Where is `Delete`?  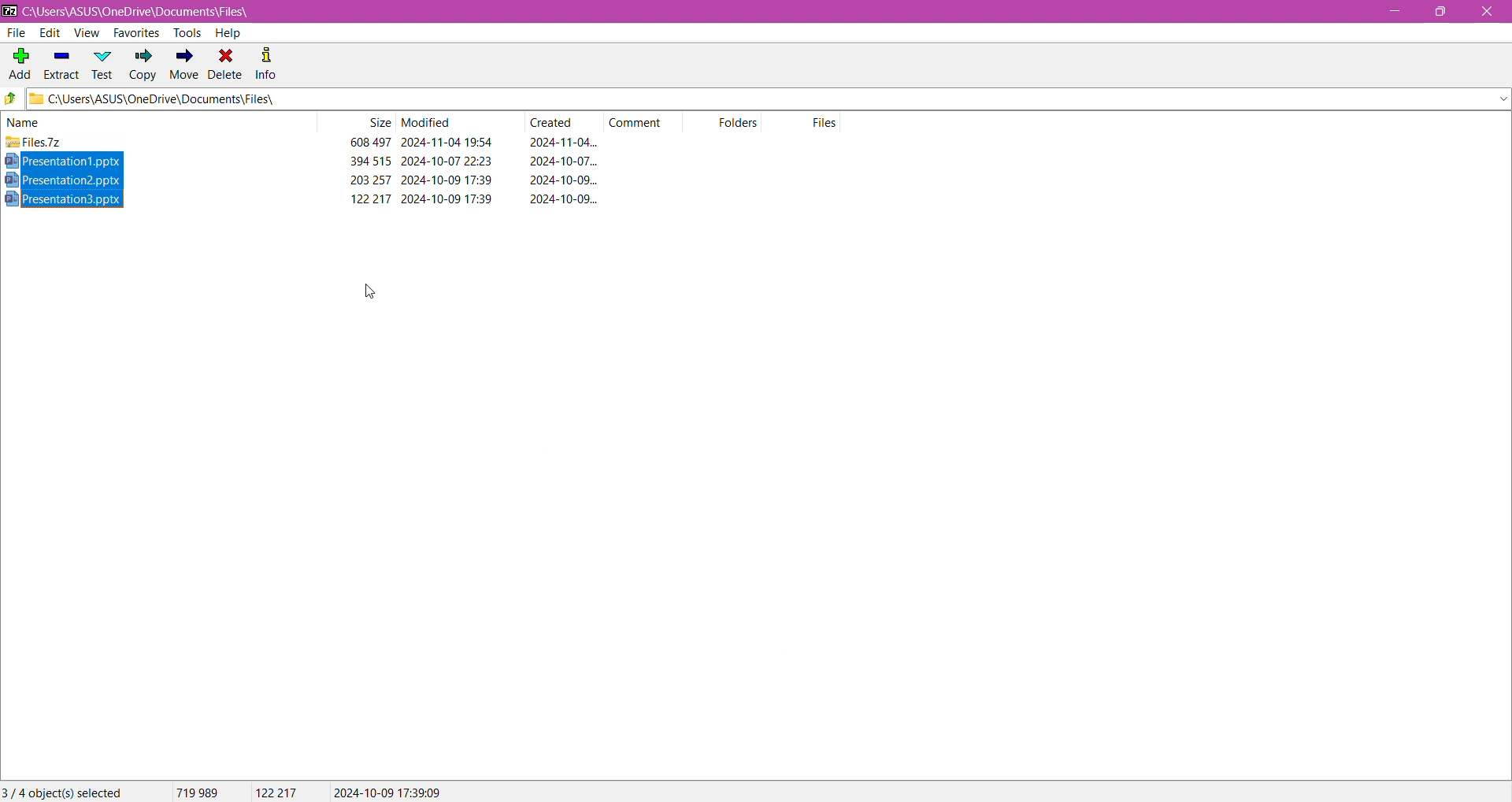 Delete is located at coordinates (226, 63).